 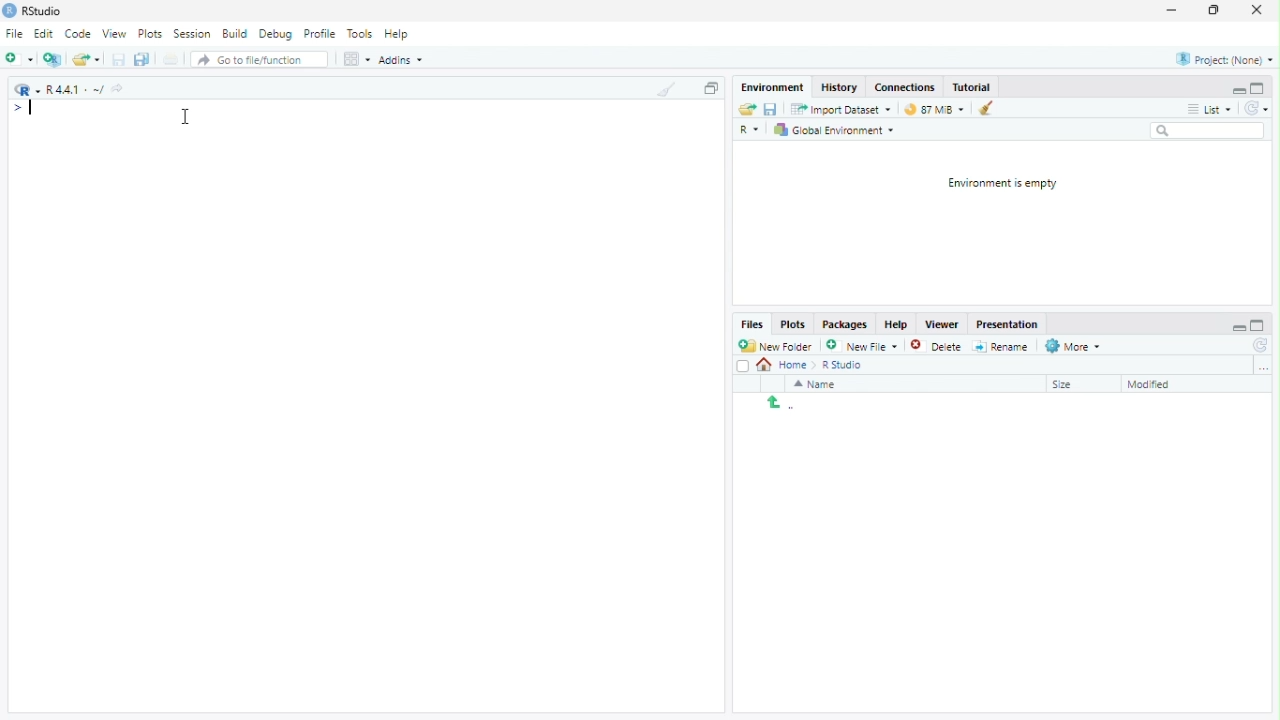 I want to click on Global Environment, so click(x=834, y=129).